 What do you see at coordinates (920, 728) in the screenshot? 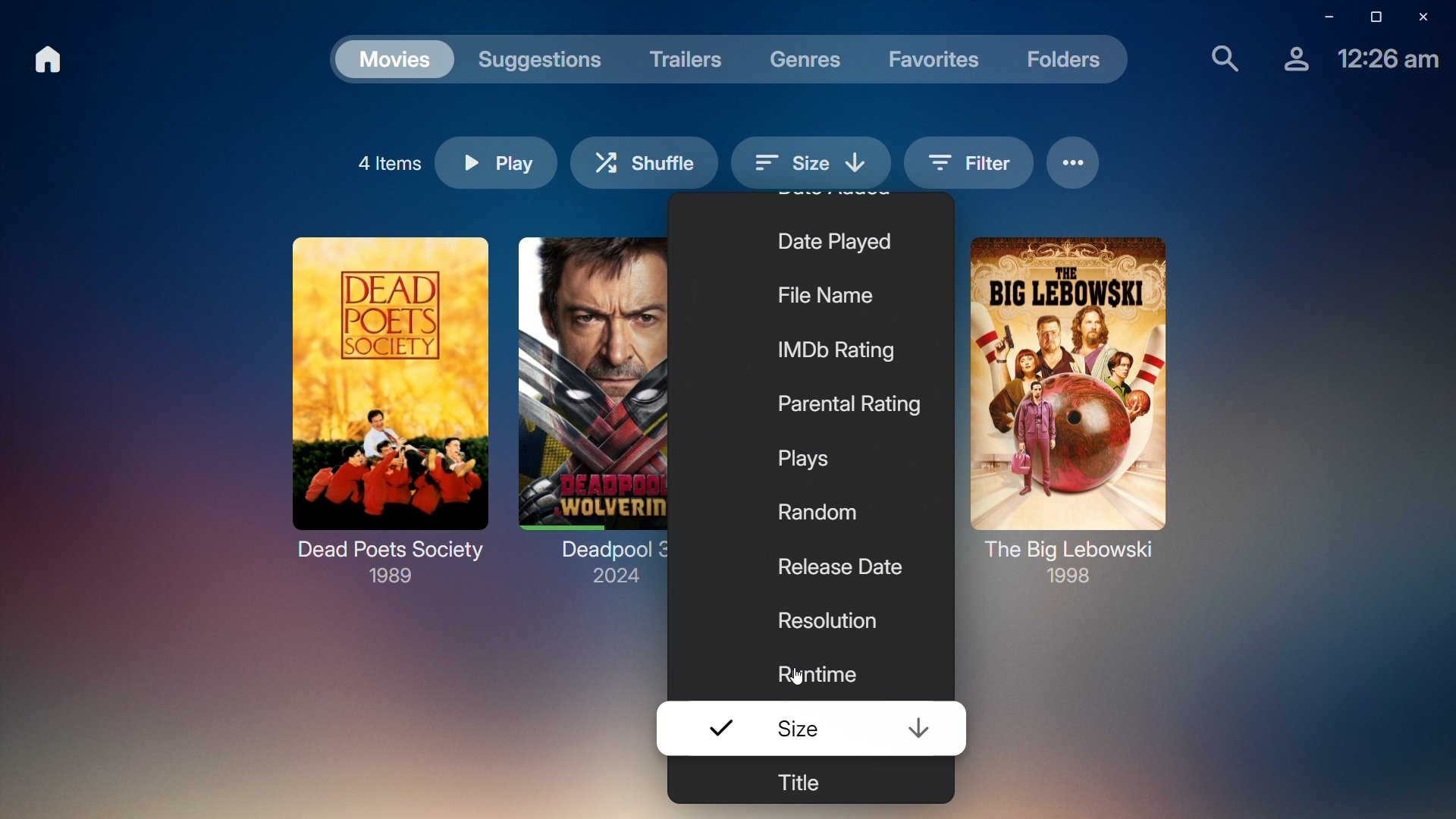
I see `Sort` at bounding box center [920, 728].